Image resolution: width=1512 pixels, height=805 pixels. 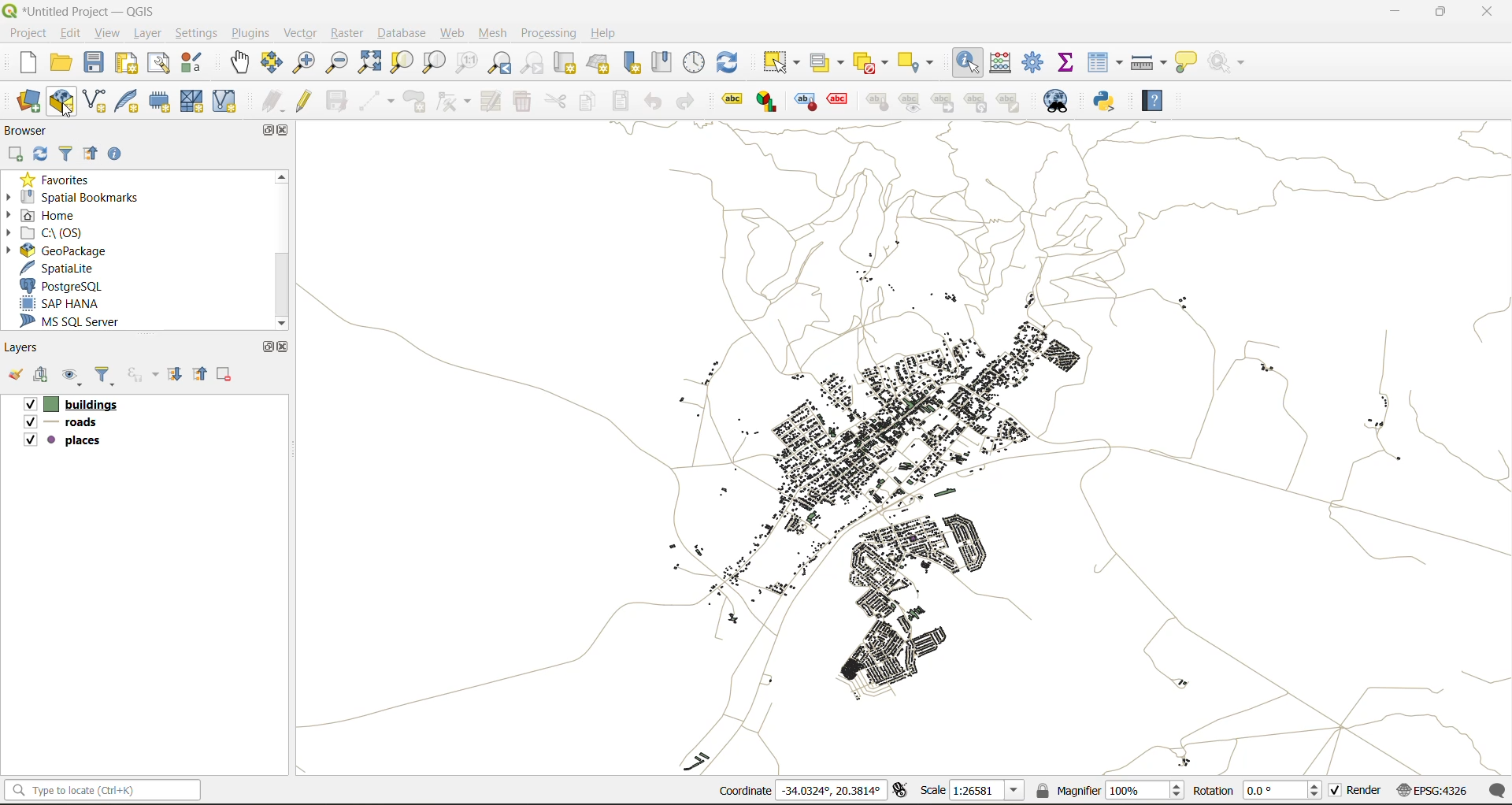 What do you see at coordinates (66, 268) in the screenshot?
I see `spatialite` at bounding box center [66, 268].